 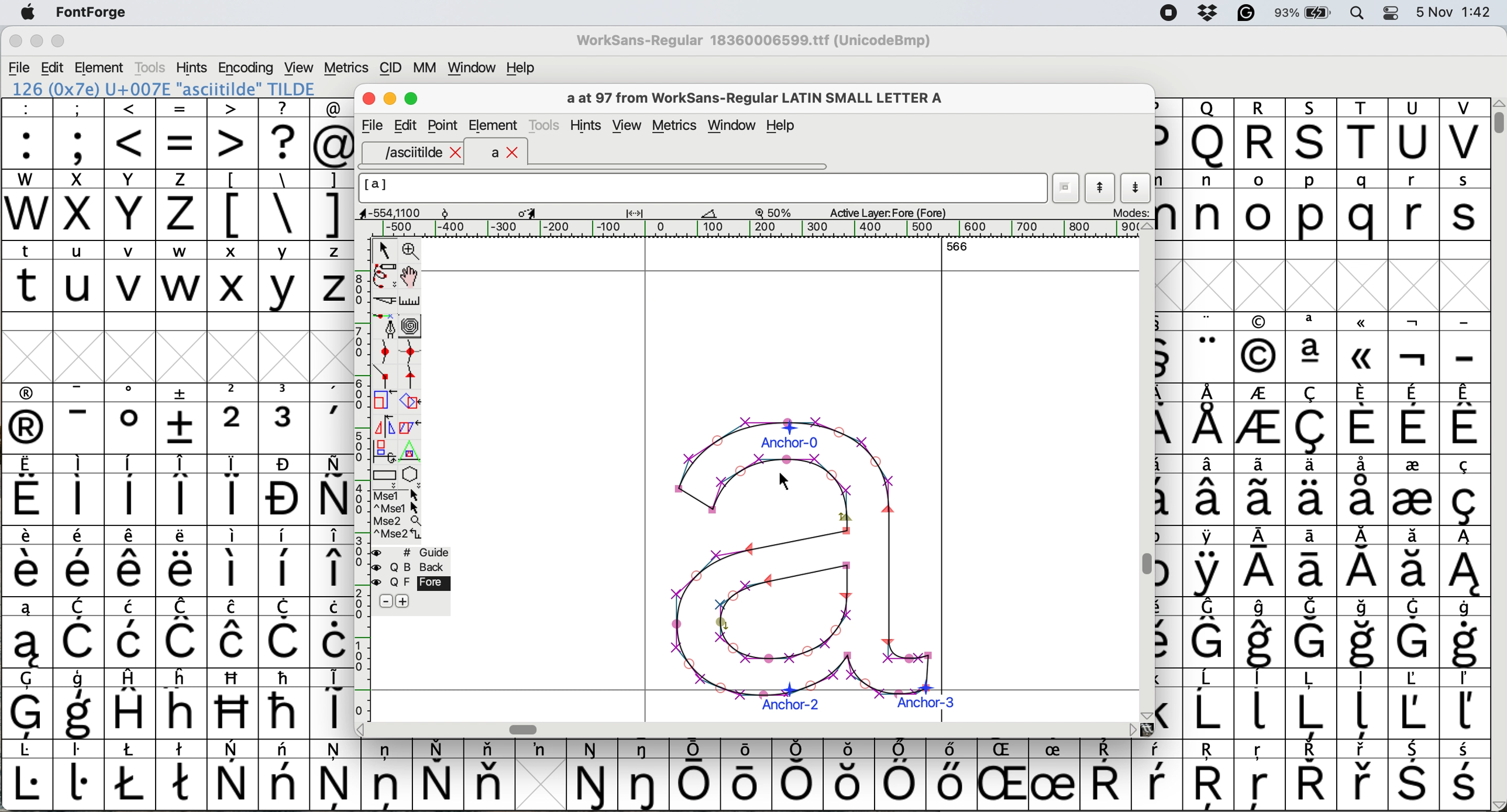 What do you see at coordinates (424, 567) in the screenshot?
I see `Background` at bounding box center [424, 567].